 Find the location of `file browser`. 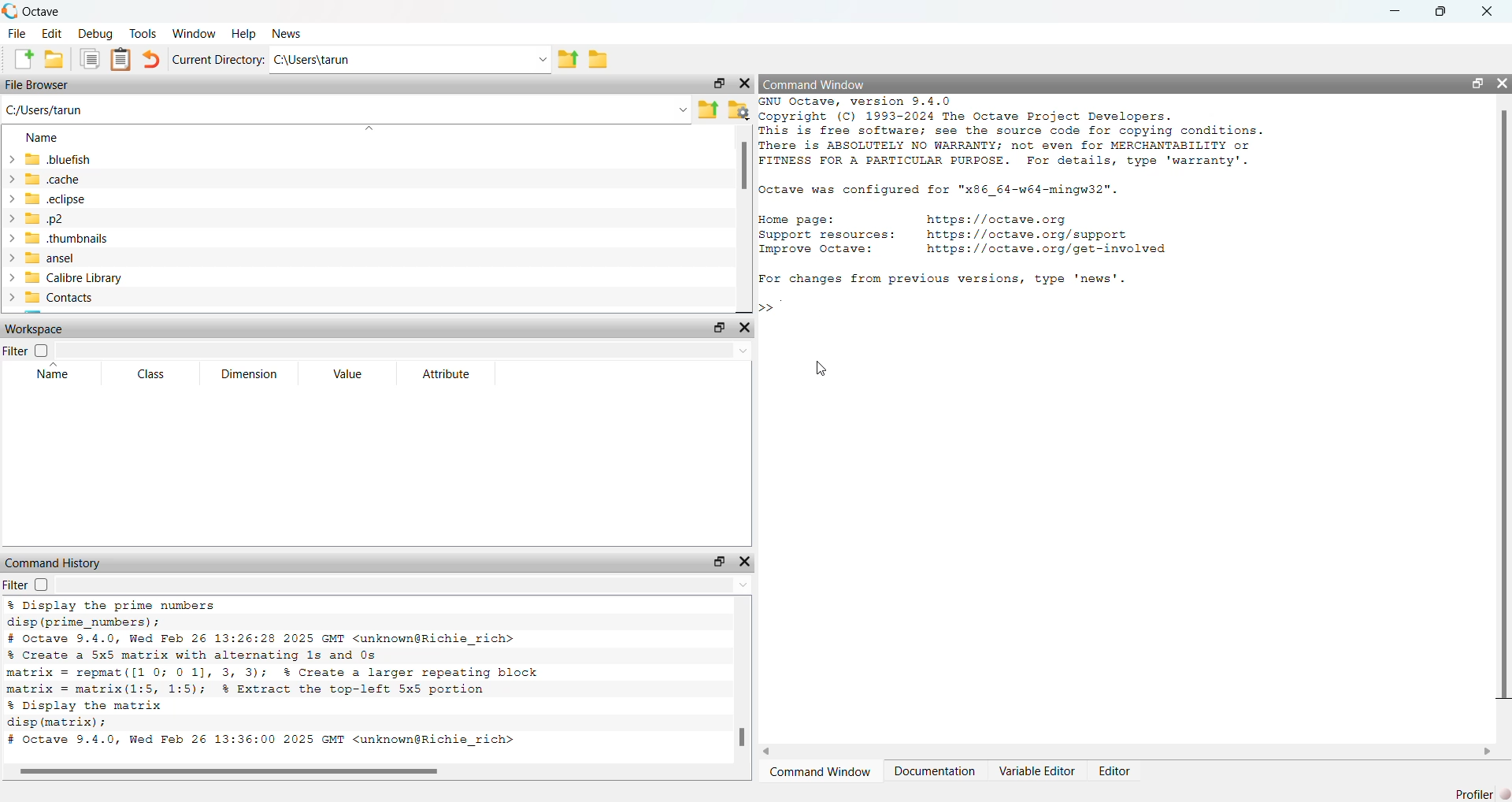

file browser is located at coordinates (42, 87).